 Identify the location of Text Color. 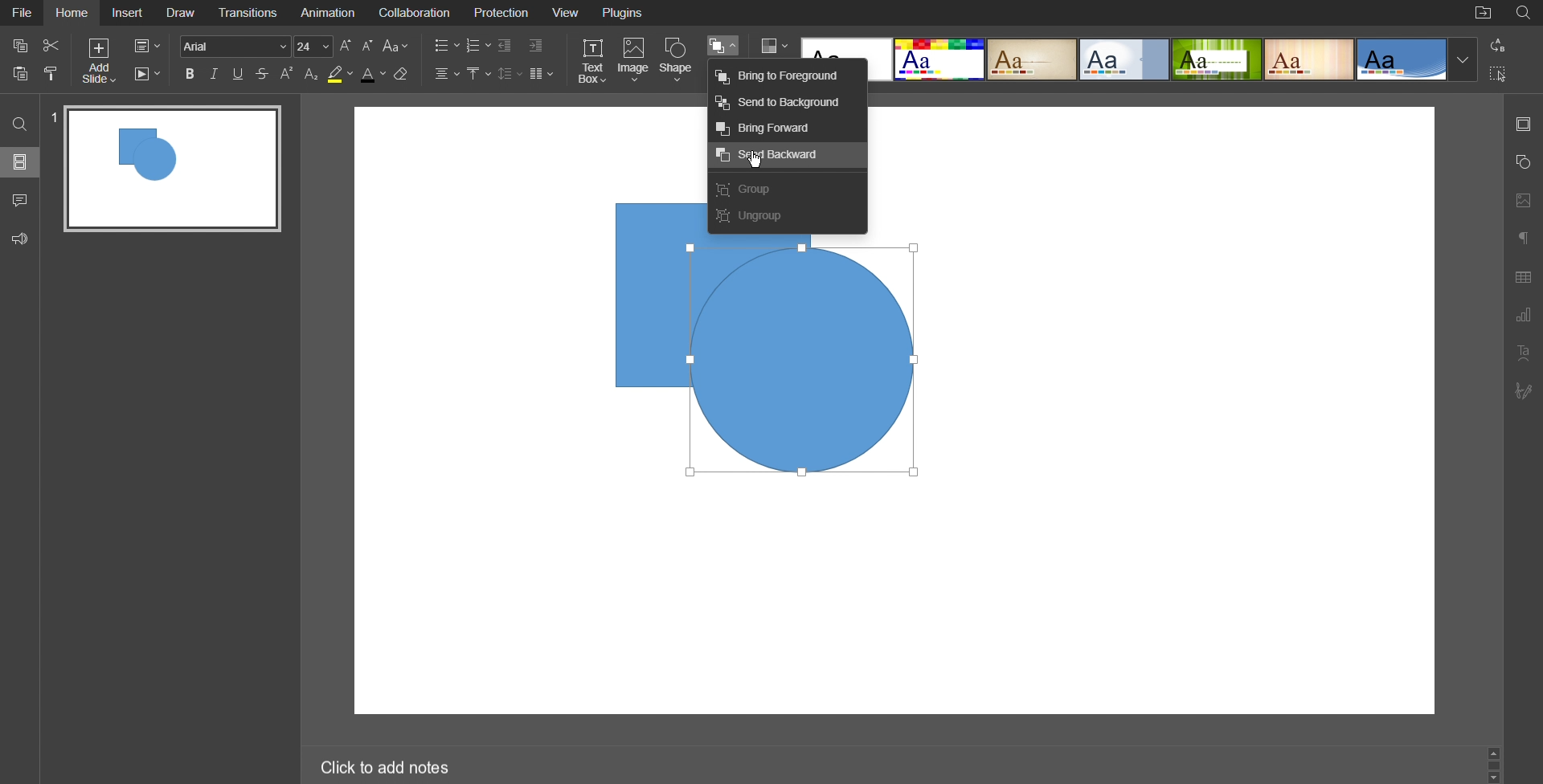
(373, 75).